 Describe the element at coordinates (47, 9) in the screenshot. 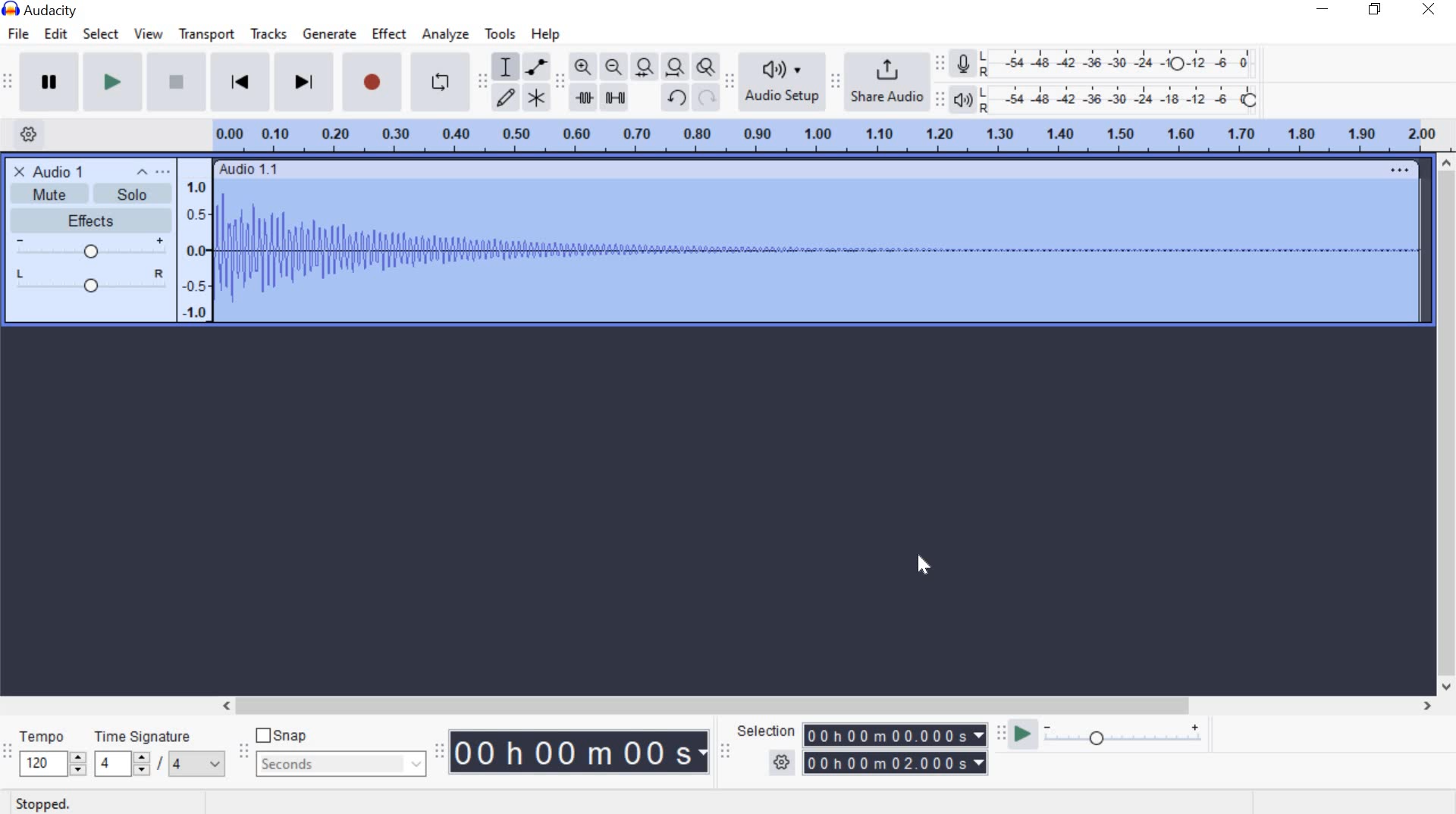

I see `system name` at that location.